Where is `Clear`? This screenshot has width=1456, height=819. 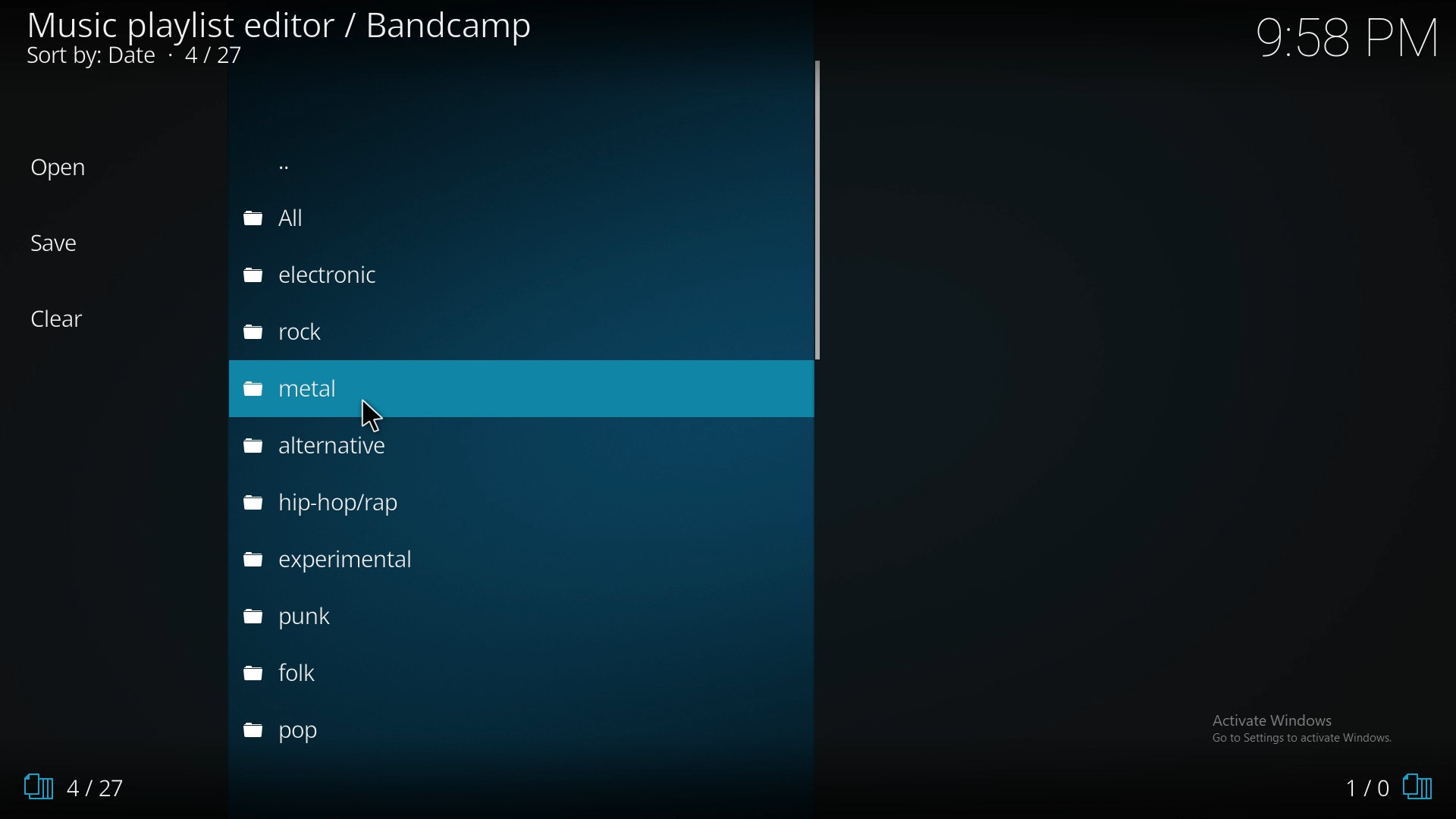 Clear is located at coordinates (66, 319).